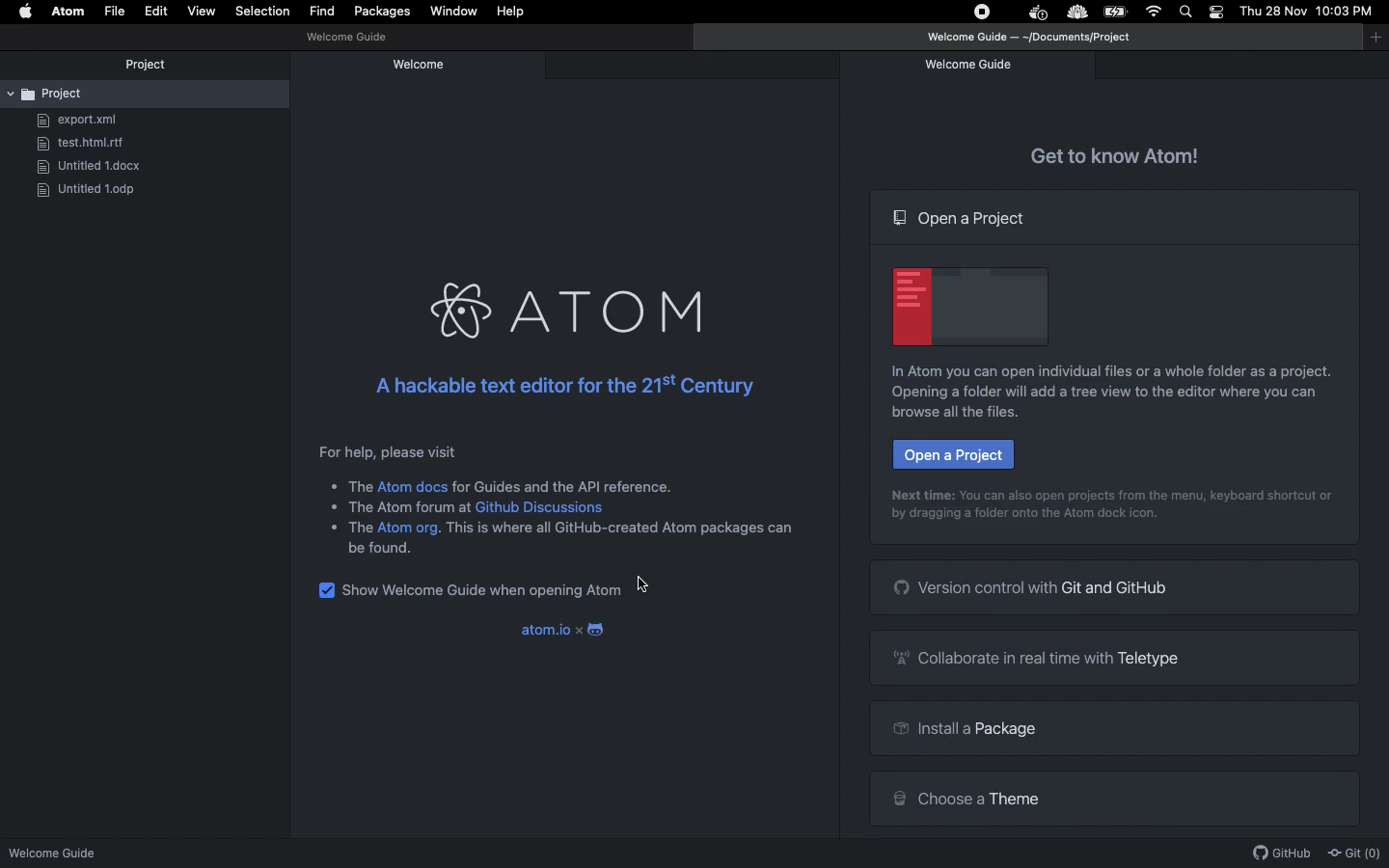  I want to click on Welcome guide, so click(1035, 39).